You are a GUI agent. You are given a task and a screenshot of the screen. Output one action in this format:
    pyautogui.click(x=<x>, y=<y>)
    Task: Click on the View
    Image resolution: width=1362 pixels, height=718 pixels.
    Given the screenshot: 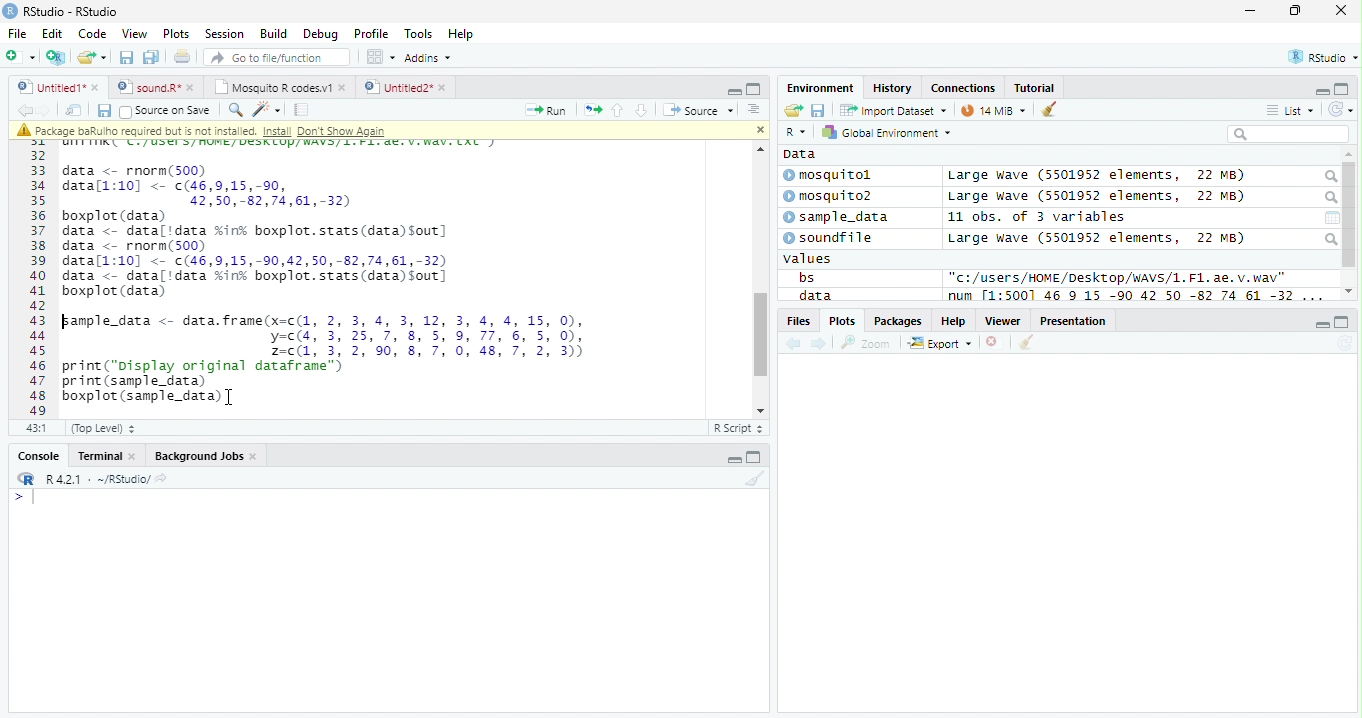 What is the action you would take?
    pyautogui.click(x=136, y=33)
    